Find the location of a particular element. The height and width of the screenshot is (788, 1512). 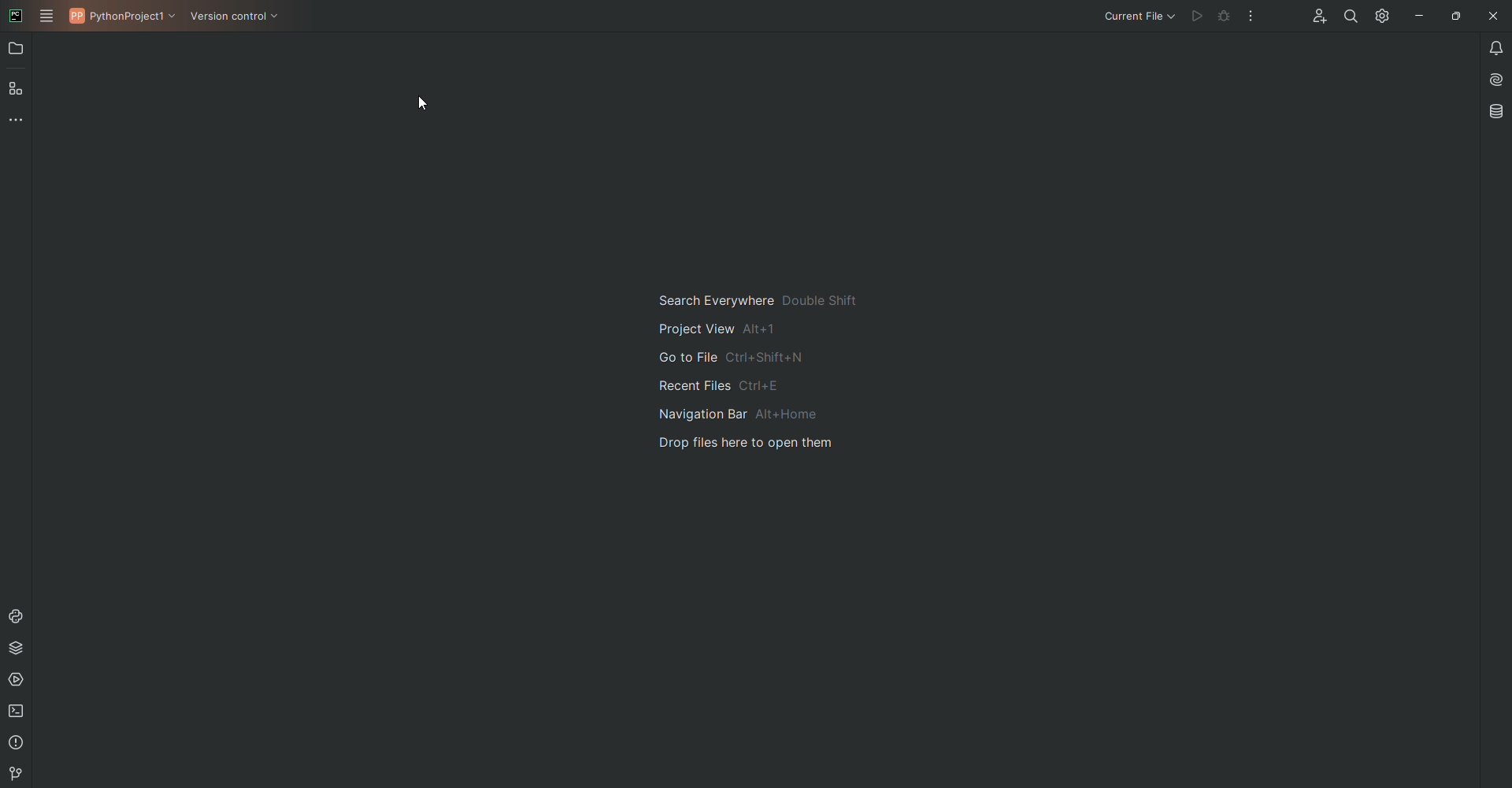

Python Project (color change) is located at coordinates (124, 16).